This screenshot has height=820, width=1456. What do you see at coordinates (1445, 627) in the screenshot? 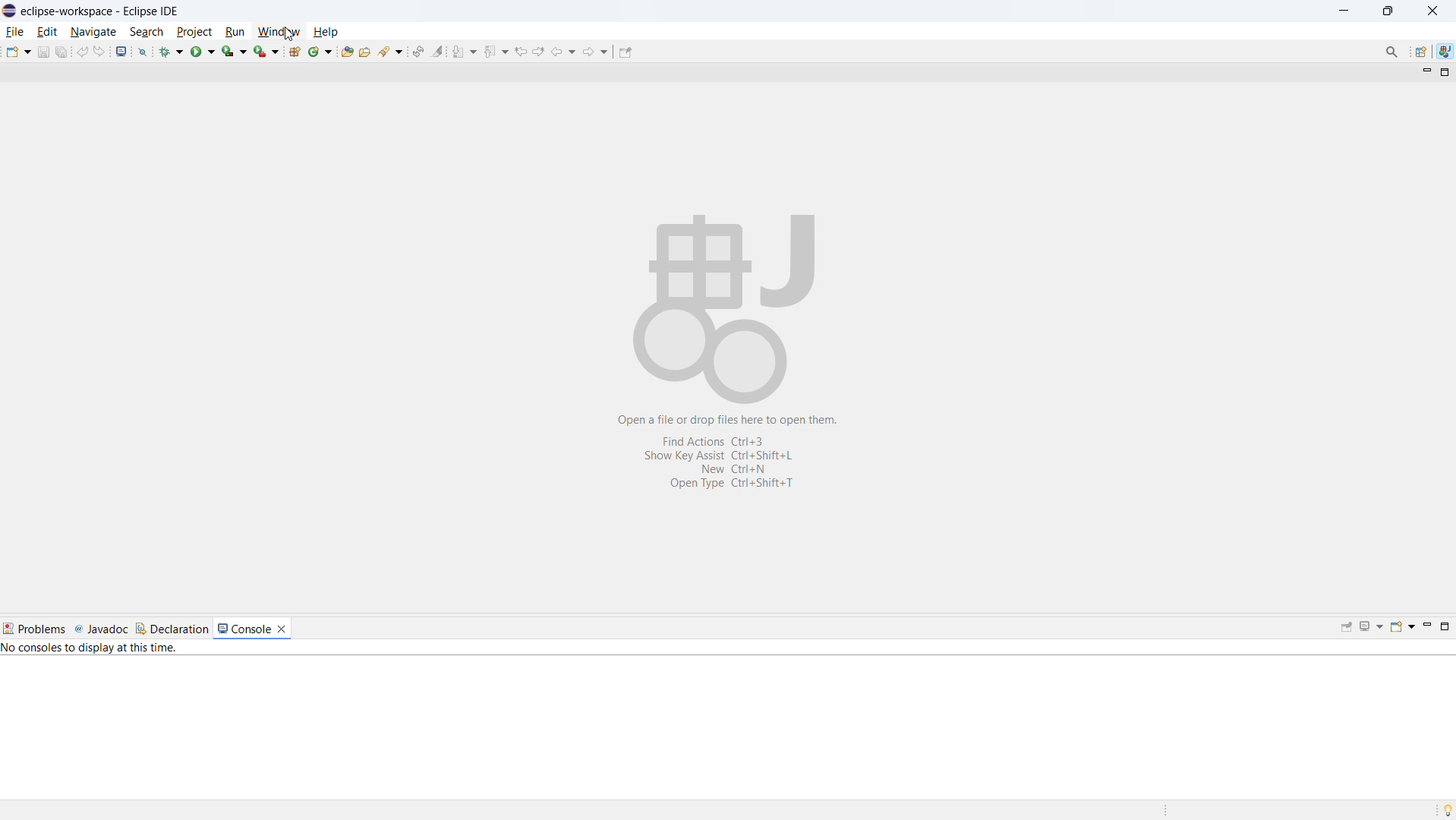
I see `maximize` at bounding box center [1445, 627].